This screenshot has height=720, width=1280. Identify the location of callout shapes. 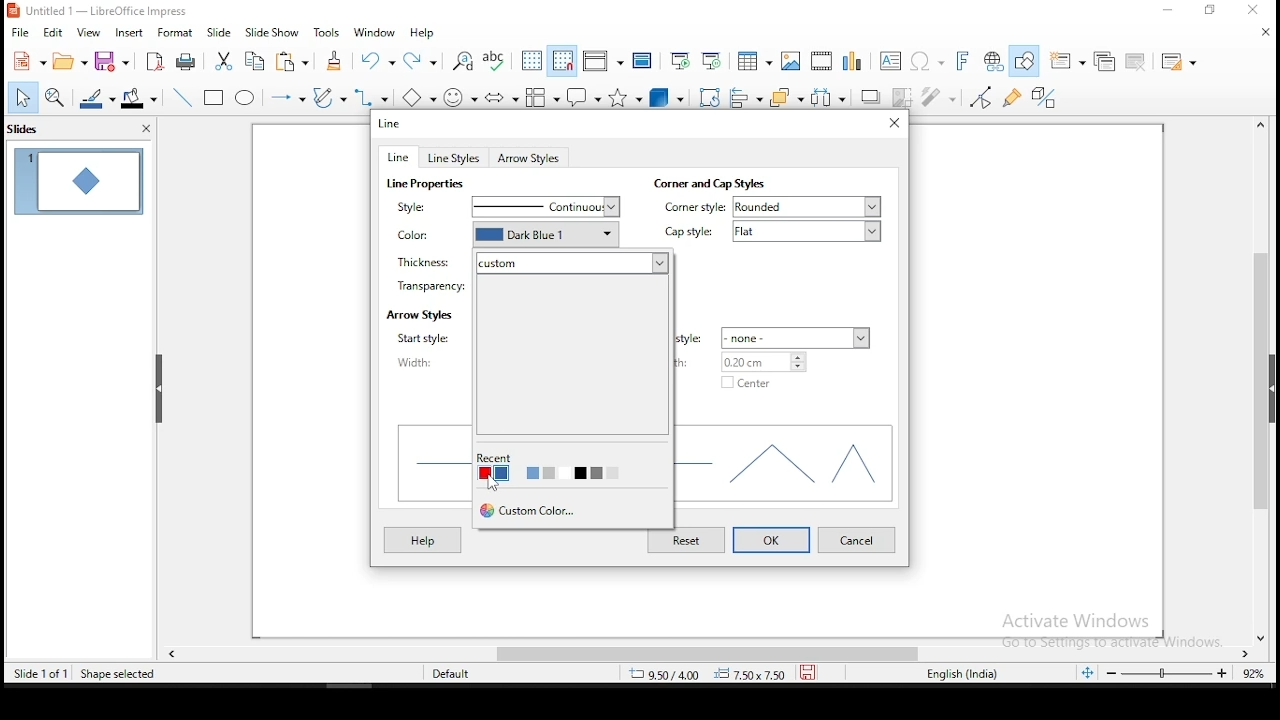
(587, 96).